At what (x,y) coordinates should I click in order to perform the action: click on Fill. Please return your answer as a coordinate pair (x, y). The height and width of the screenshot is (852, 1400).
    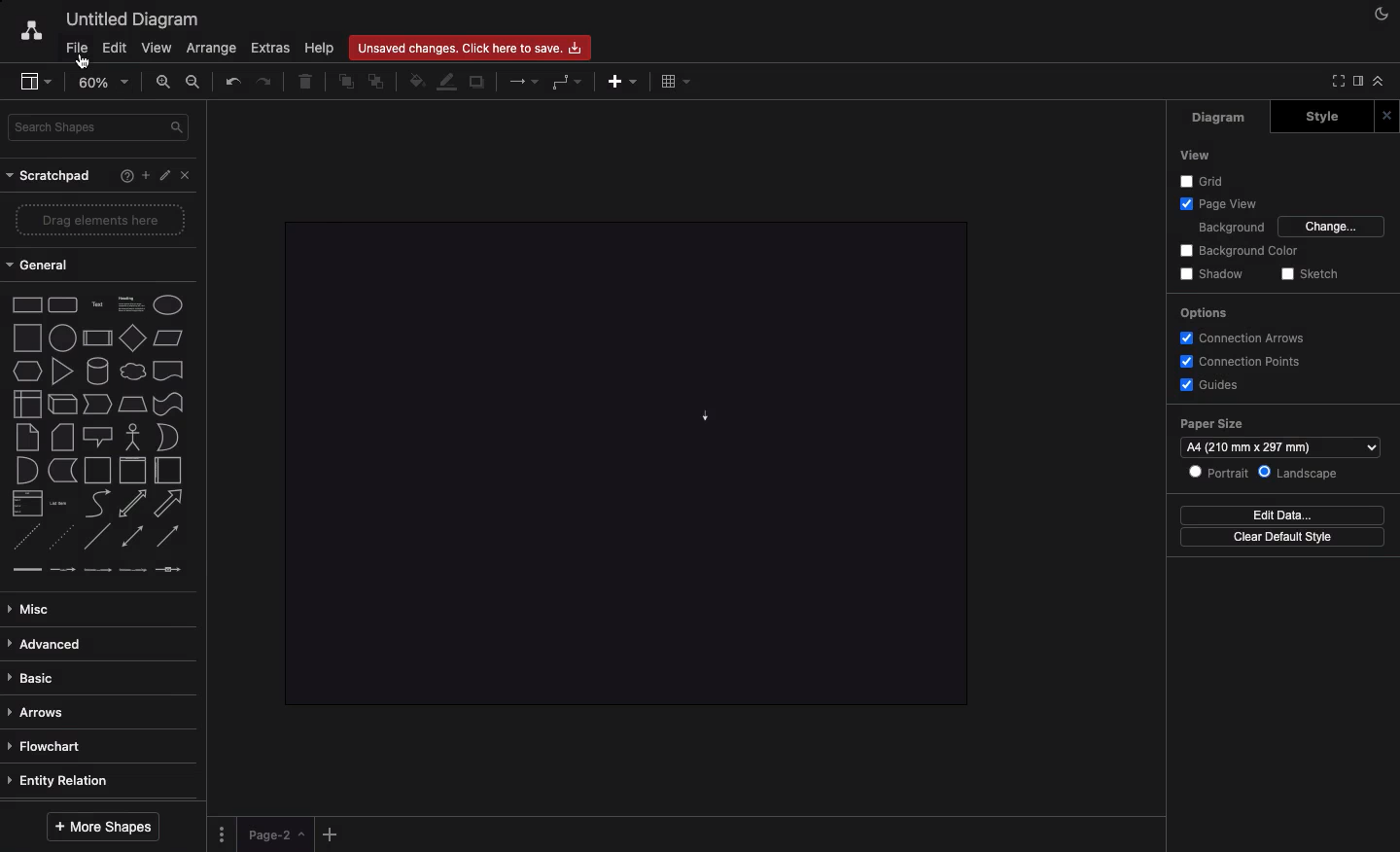
    Looking at the image, I should click on (415, 82).